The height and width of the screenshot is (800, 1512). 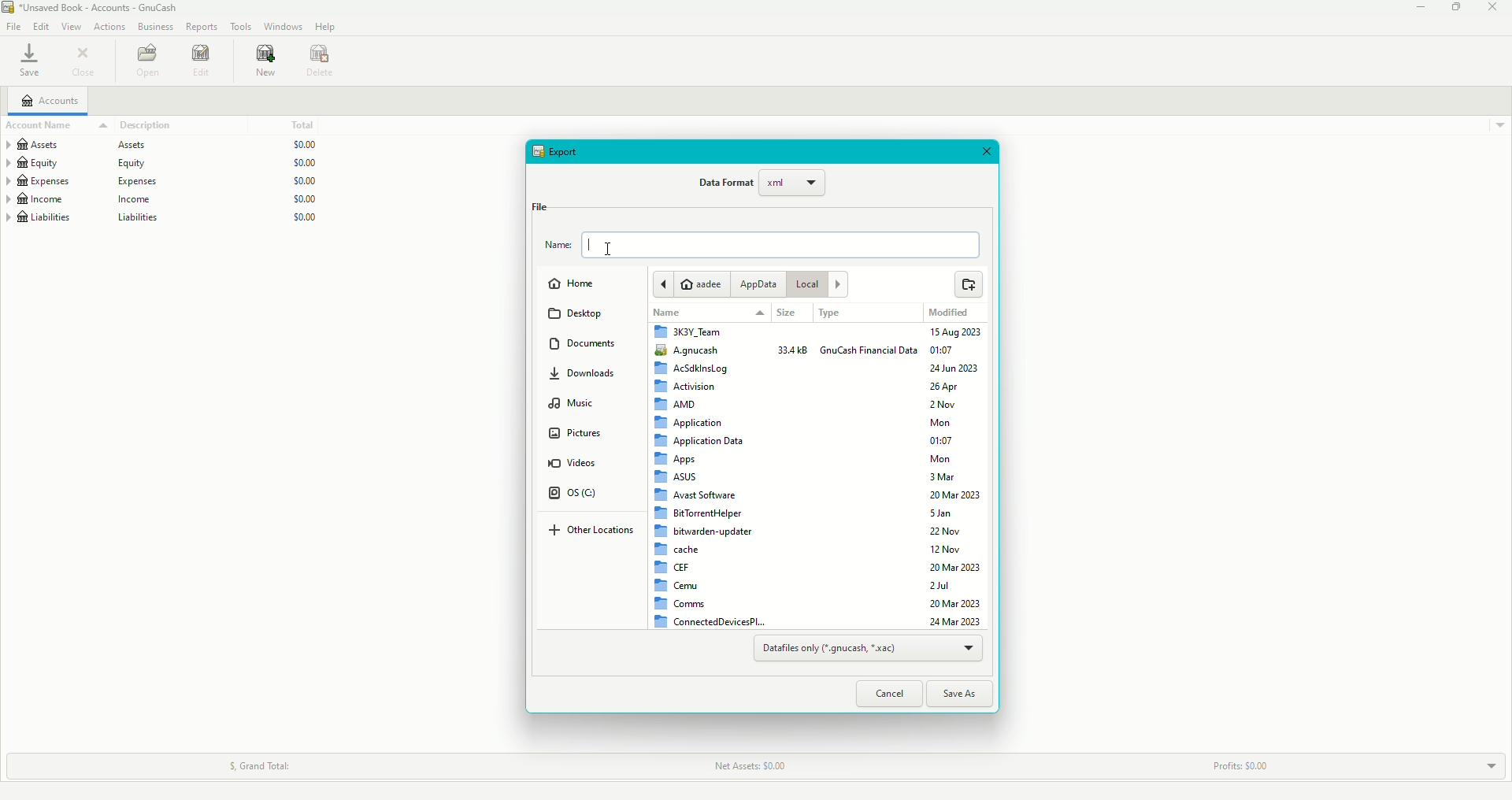 I want to click on Modified, so click(x=951, y=313).